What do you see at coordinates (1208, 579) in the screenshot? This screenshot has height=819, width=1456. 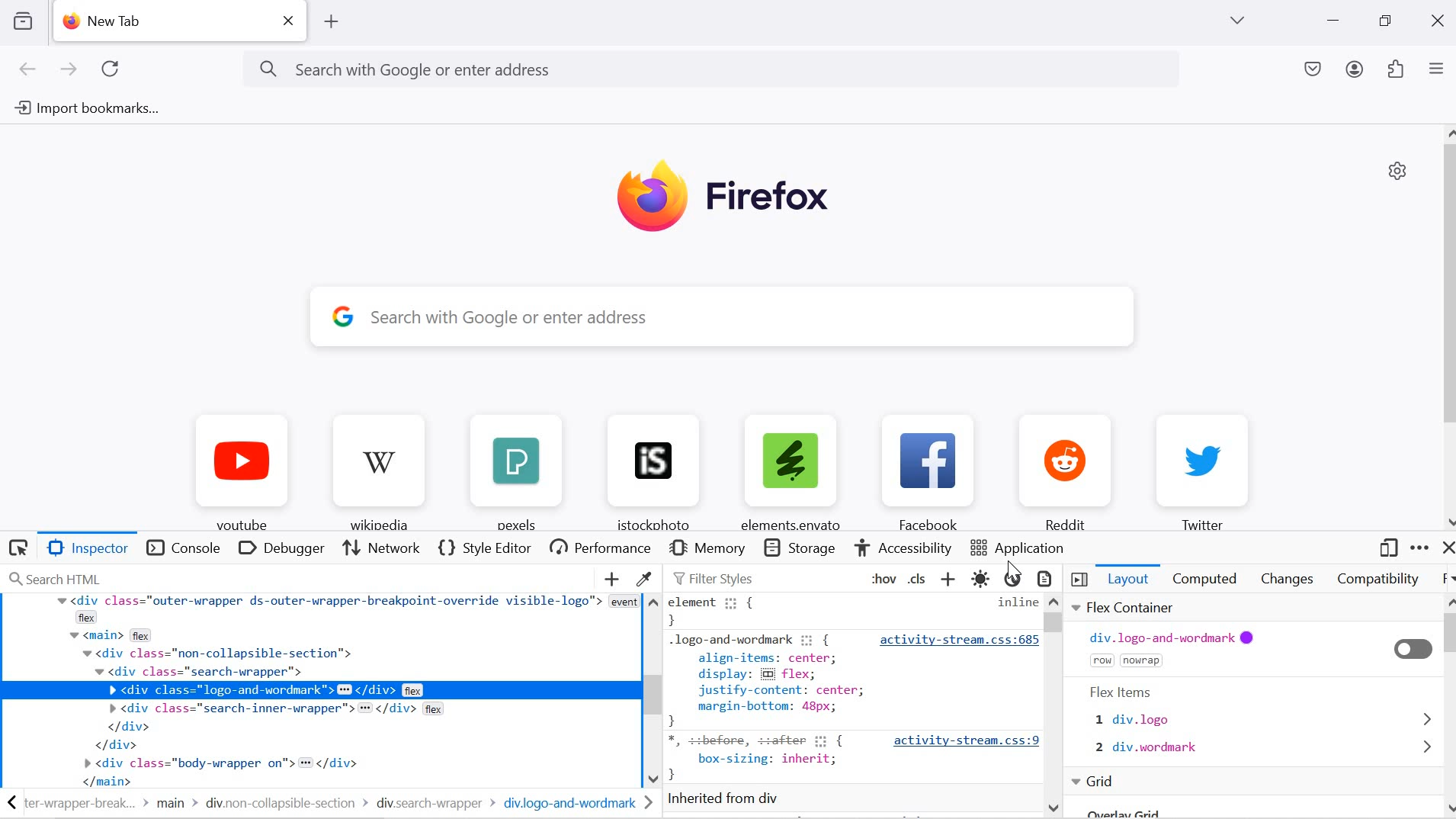 I see `computed` at bounding box center [1208, 579].